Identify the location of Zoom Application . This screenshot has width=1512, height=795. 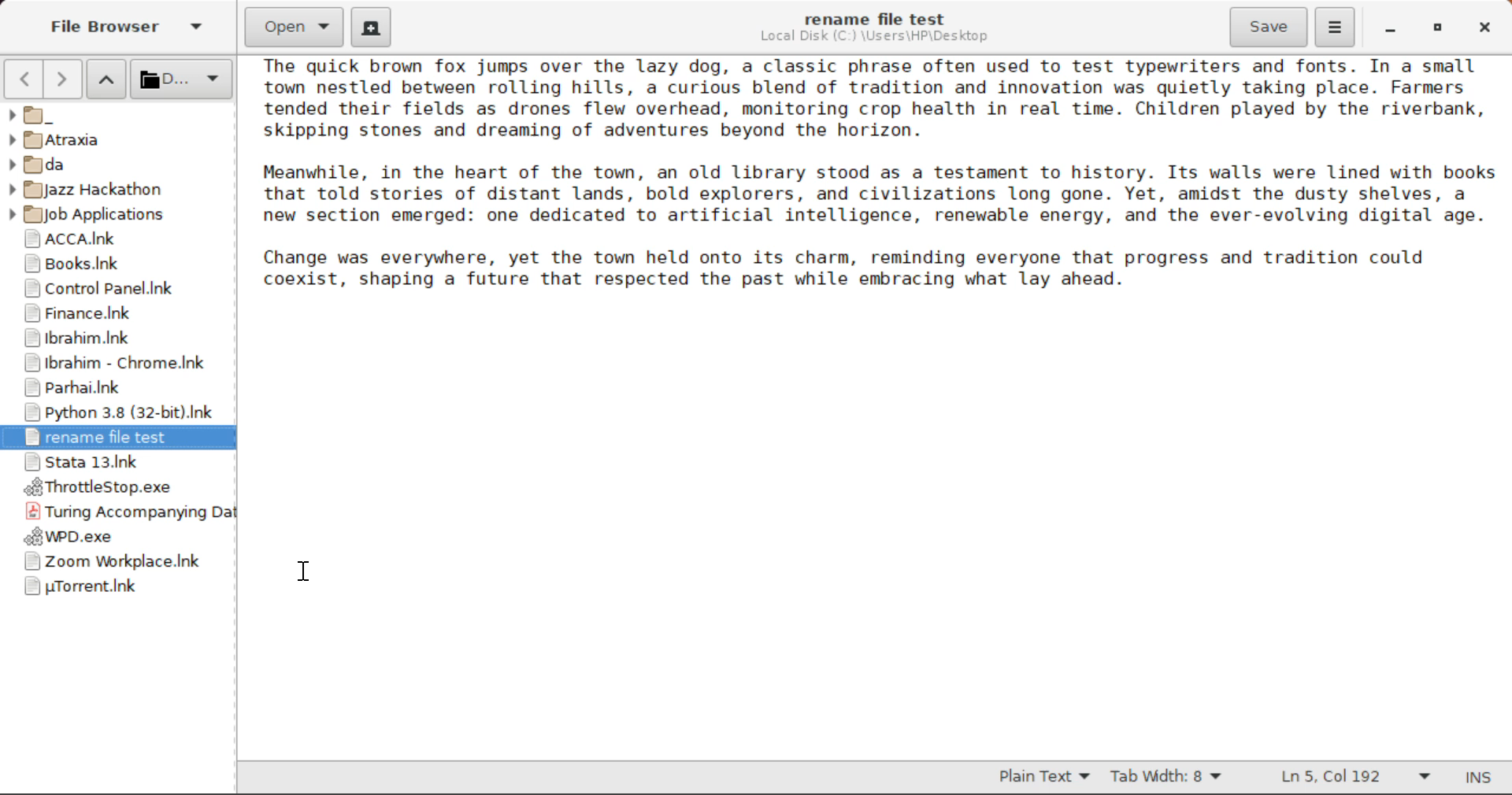
(113, 562).